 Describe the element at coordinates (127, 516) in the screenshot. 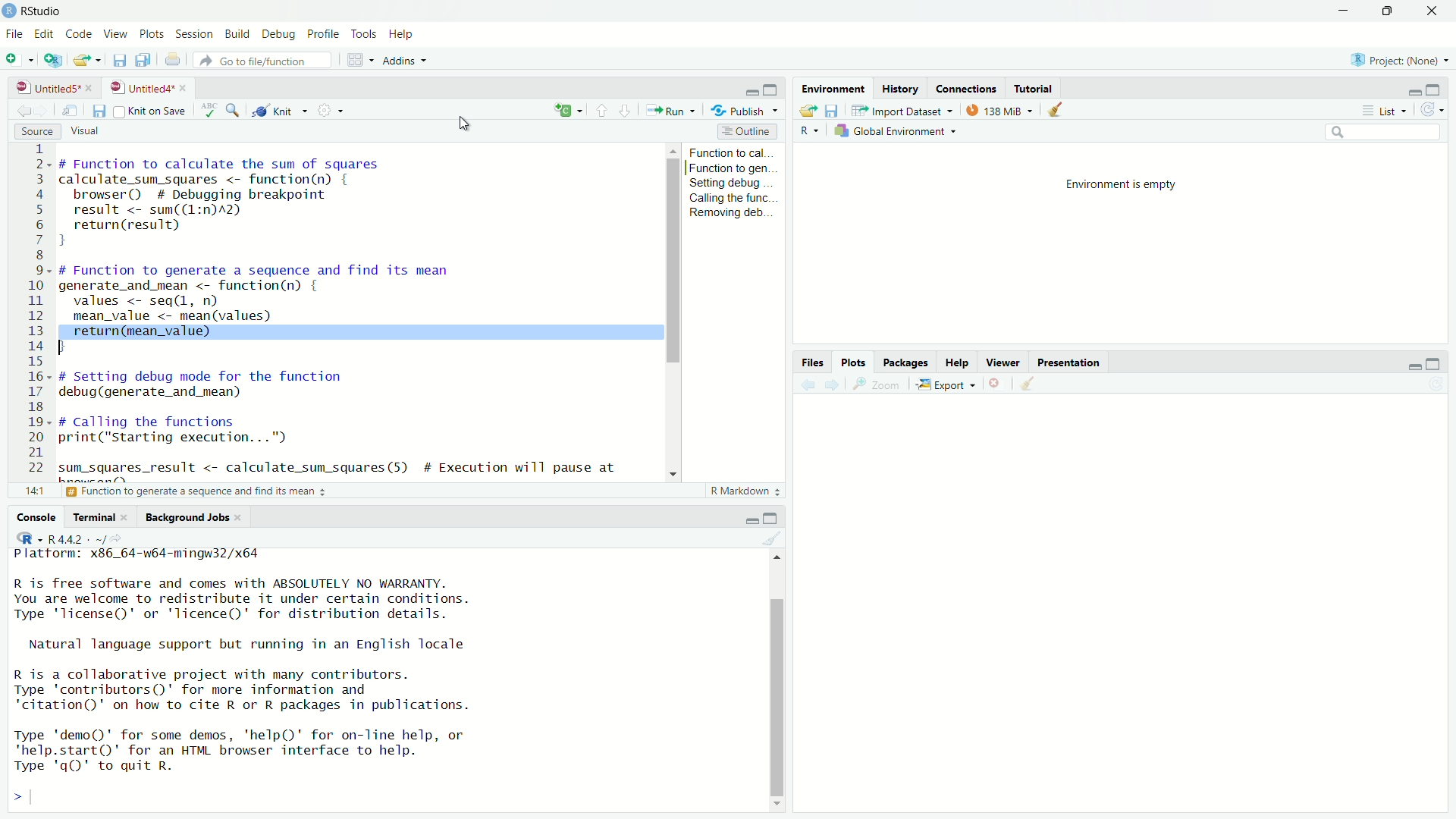

I see `close` at that location.